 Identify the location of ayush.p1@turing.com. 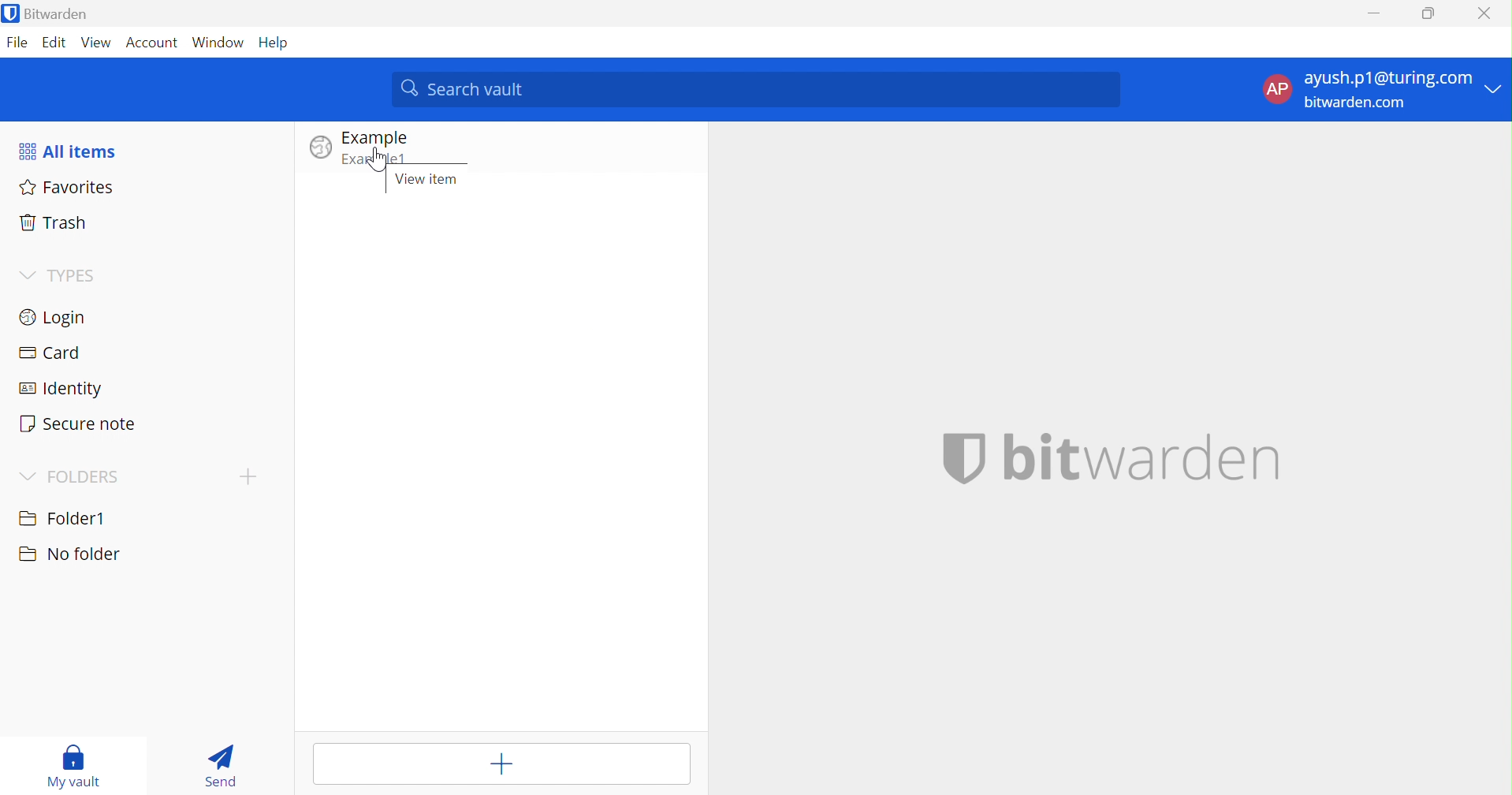
(1390, 78).